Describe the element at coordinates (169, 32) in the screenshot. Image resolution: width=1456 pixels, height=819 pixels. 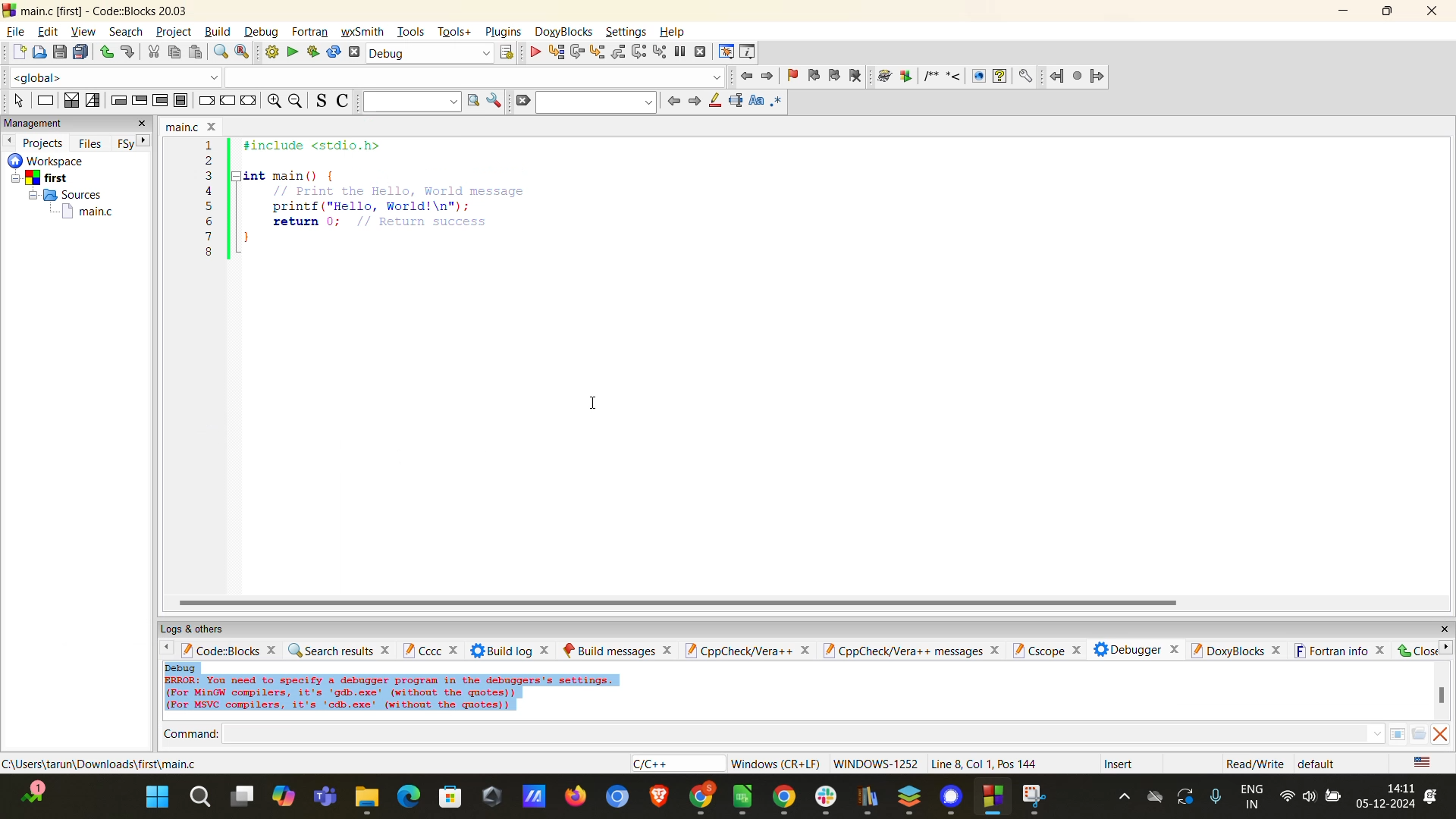
I see `project` at that location.